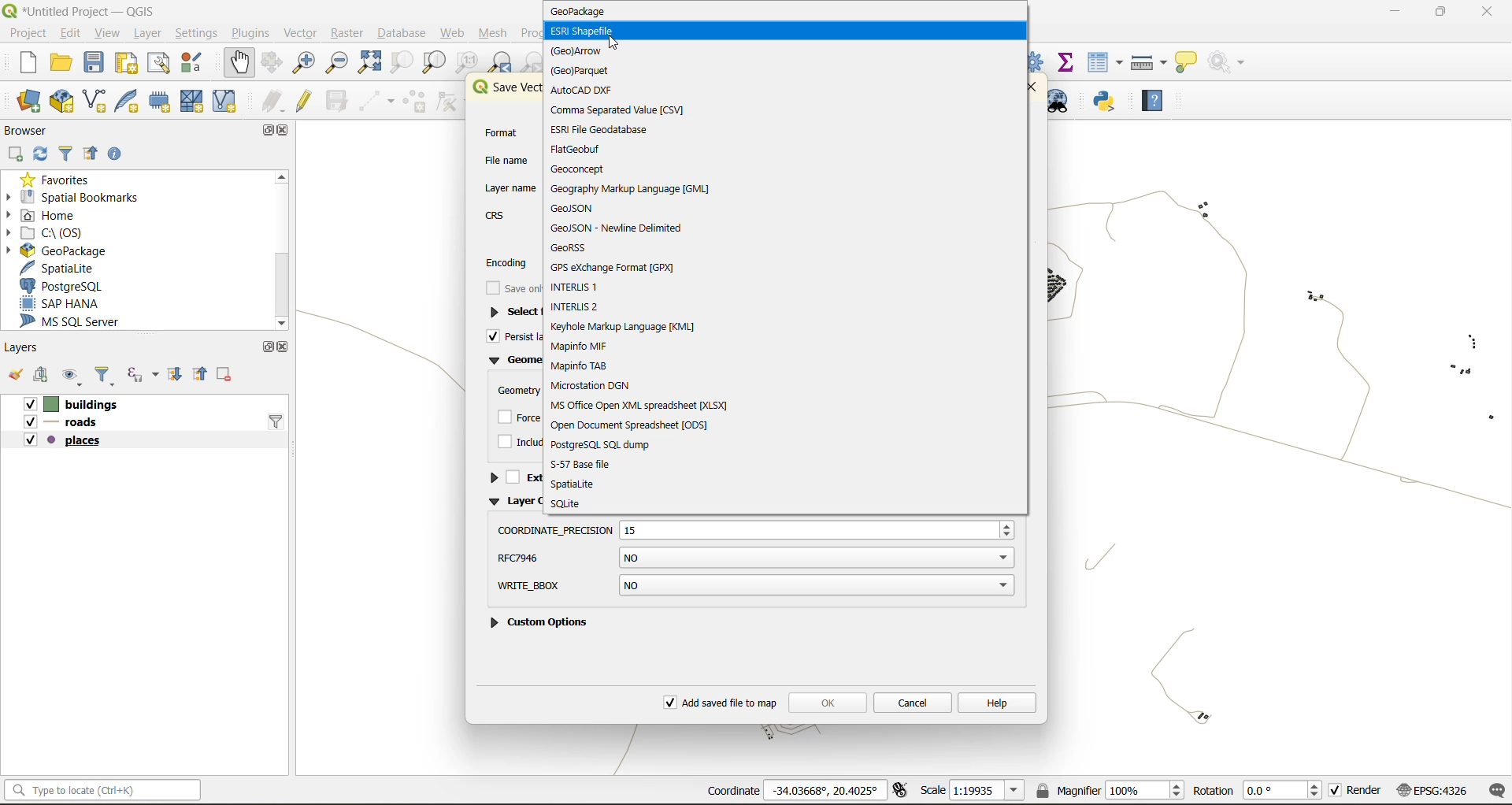  What do you see at coordinates (147, 33) in the screenshot?
I see `layer` at bounding box center [147, 33].